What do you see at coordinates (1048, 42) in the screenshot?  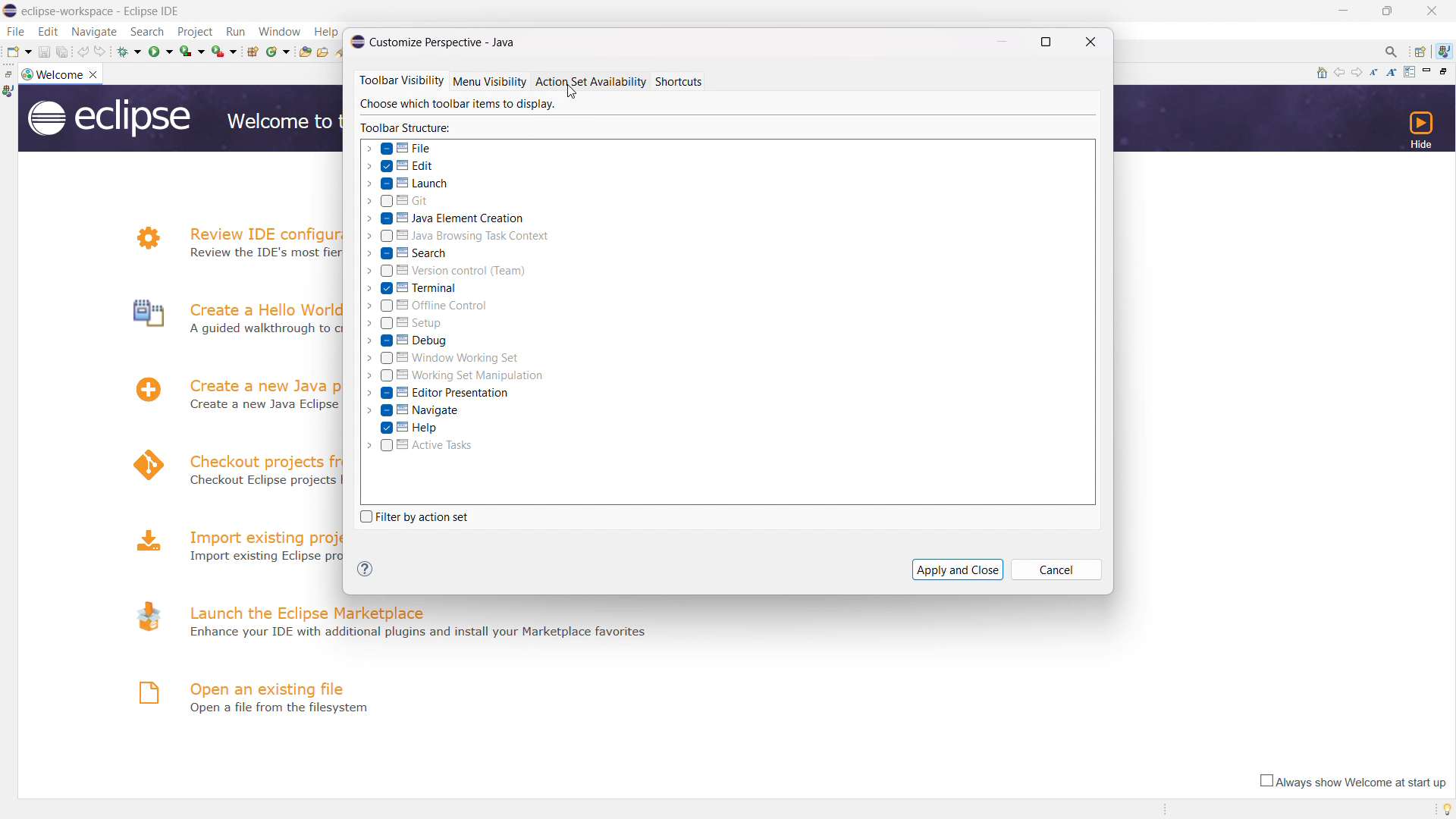 I see `maximize` at bounding box center [1048, 42].